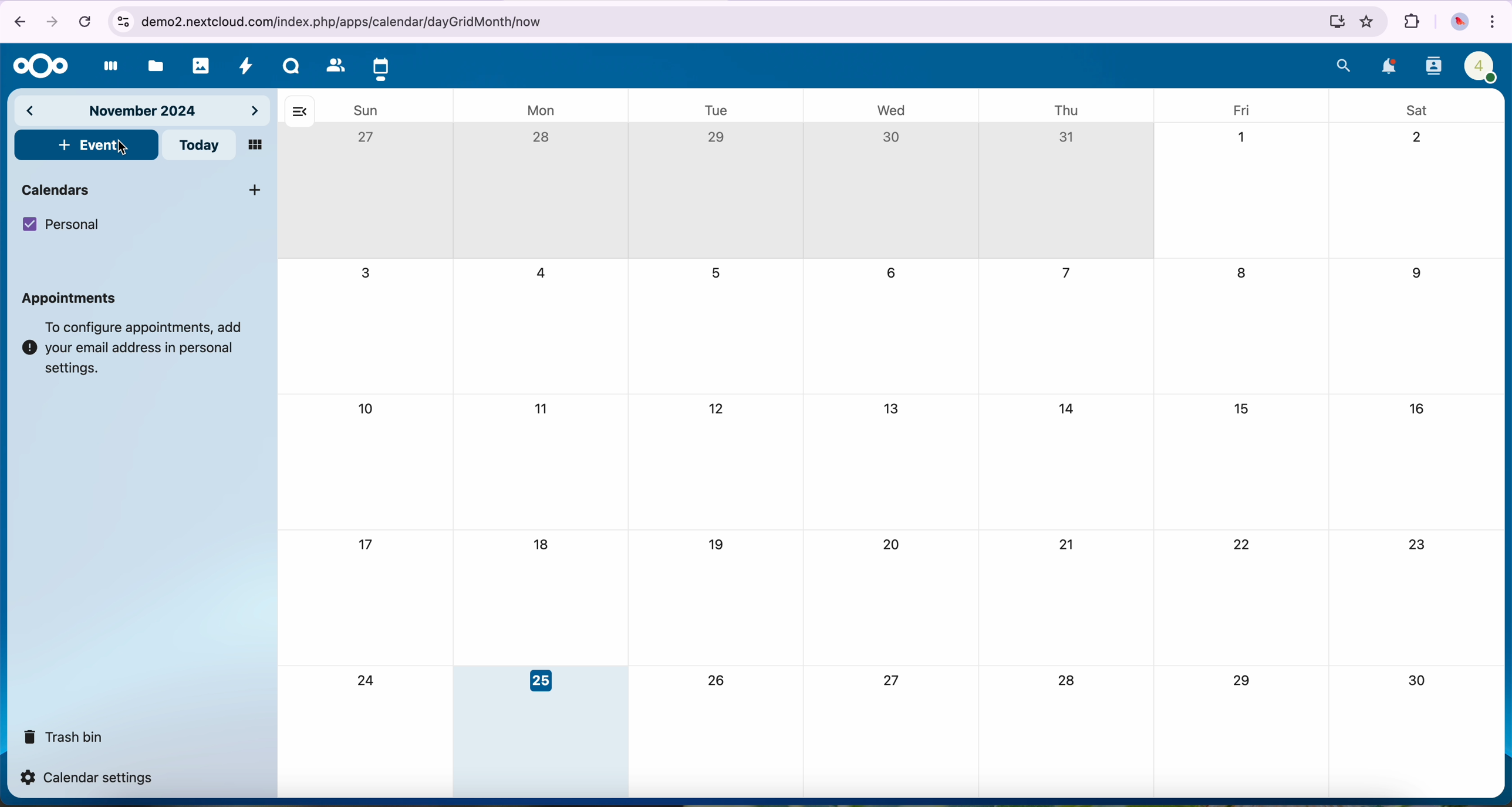 This screenshot has width=1512, height=807. What do you see at coordinates (890, 273) in the screenshot?
I see `6` at bounding box center [890, 273].